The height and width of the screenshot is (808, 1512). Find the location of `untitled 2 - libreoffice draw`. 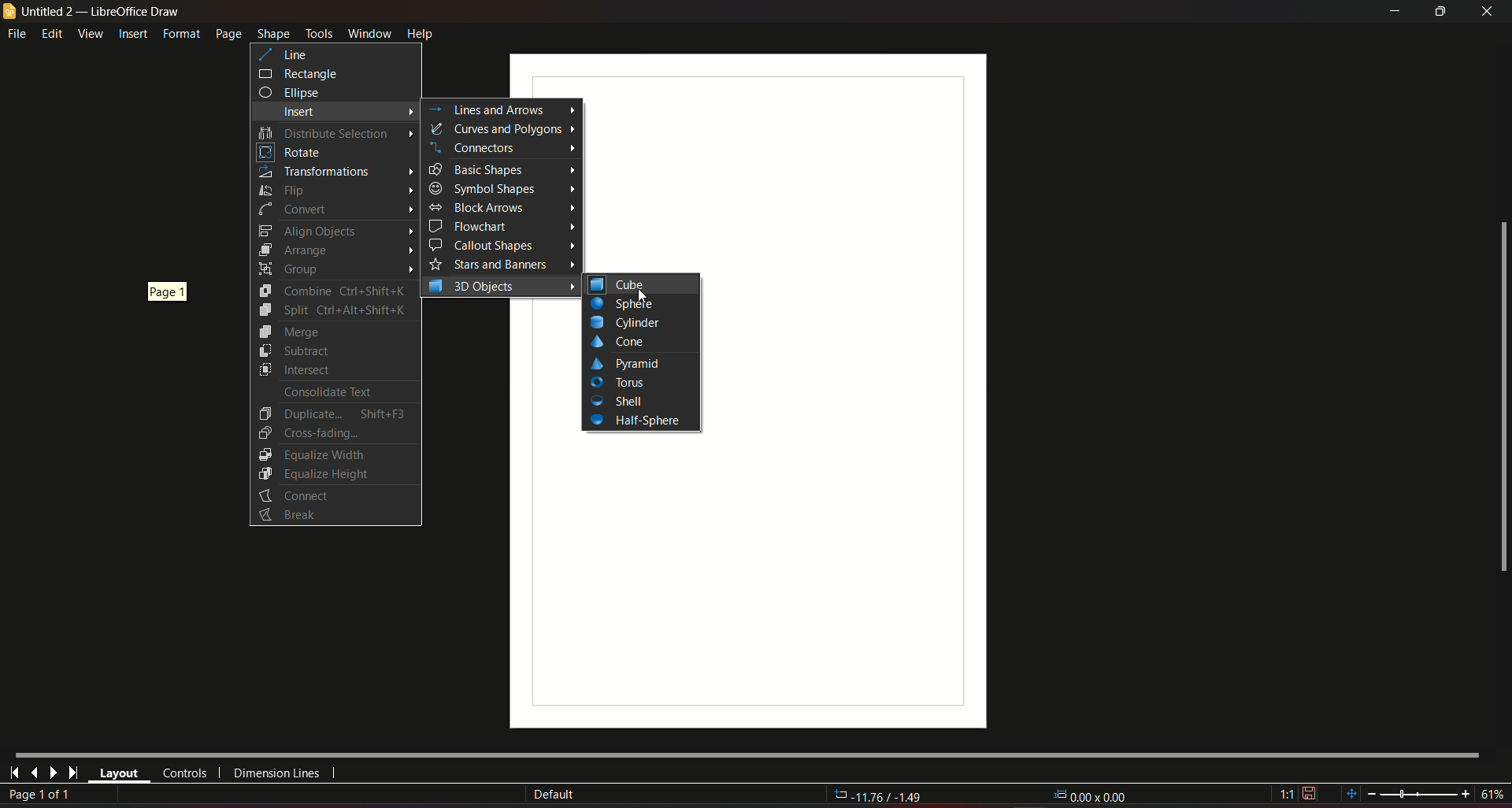

untitled 2 - libreoffice draw is located at coordinates (93, 12).